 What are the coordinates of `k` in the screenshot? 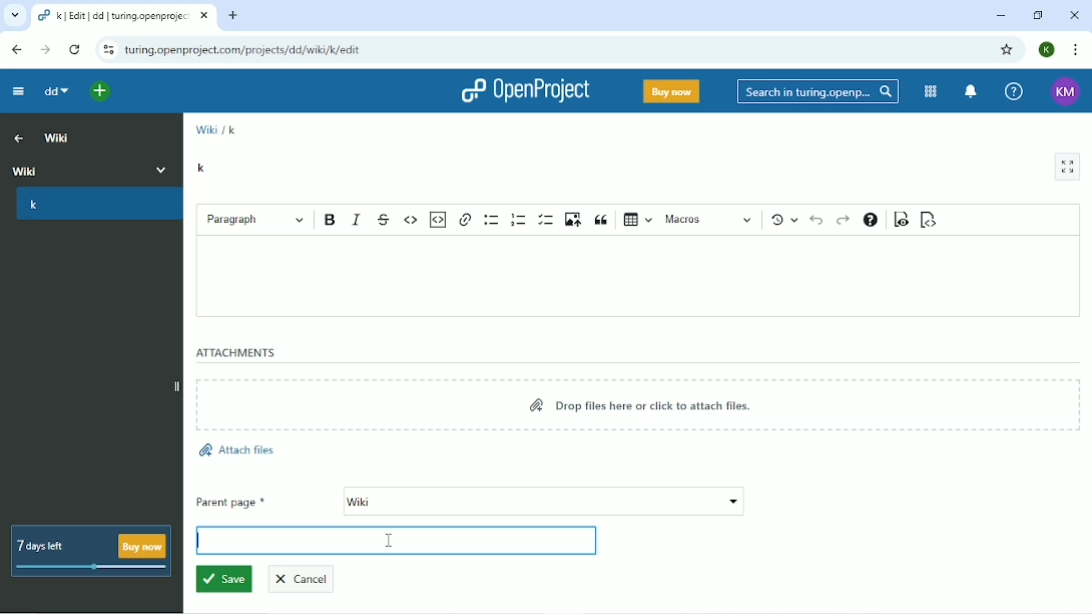 It's located at (233, 129).